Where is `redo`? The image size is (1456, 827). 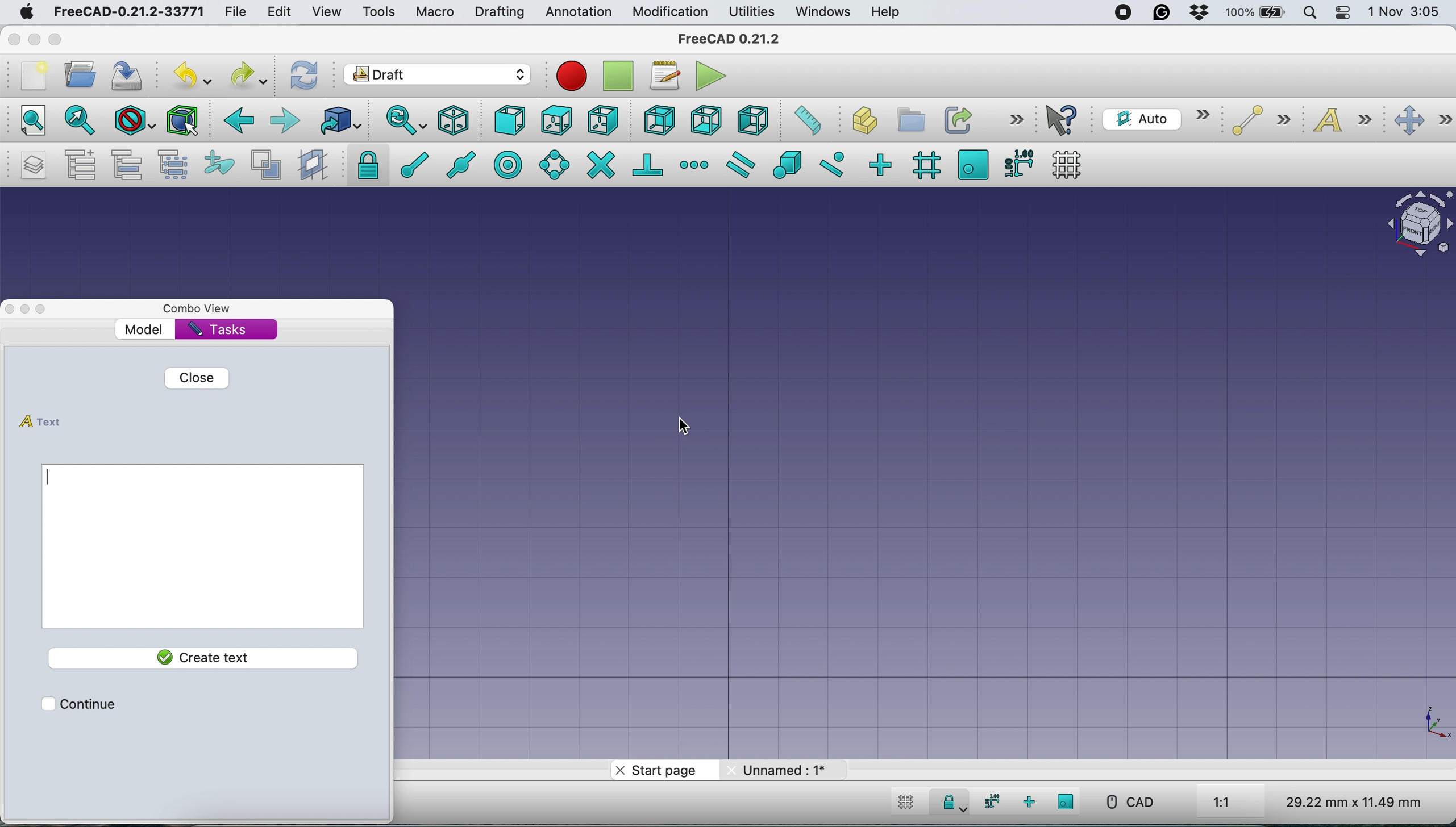
redo is located at coordinates (249, 74).